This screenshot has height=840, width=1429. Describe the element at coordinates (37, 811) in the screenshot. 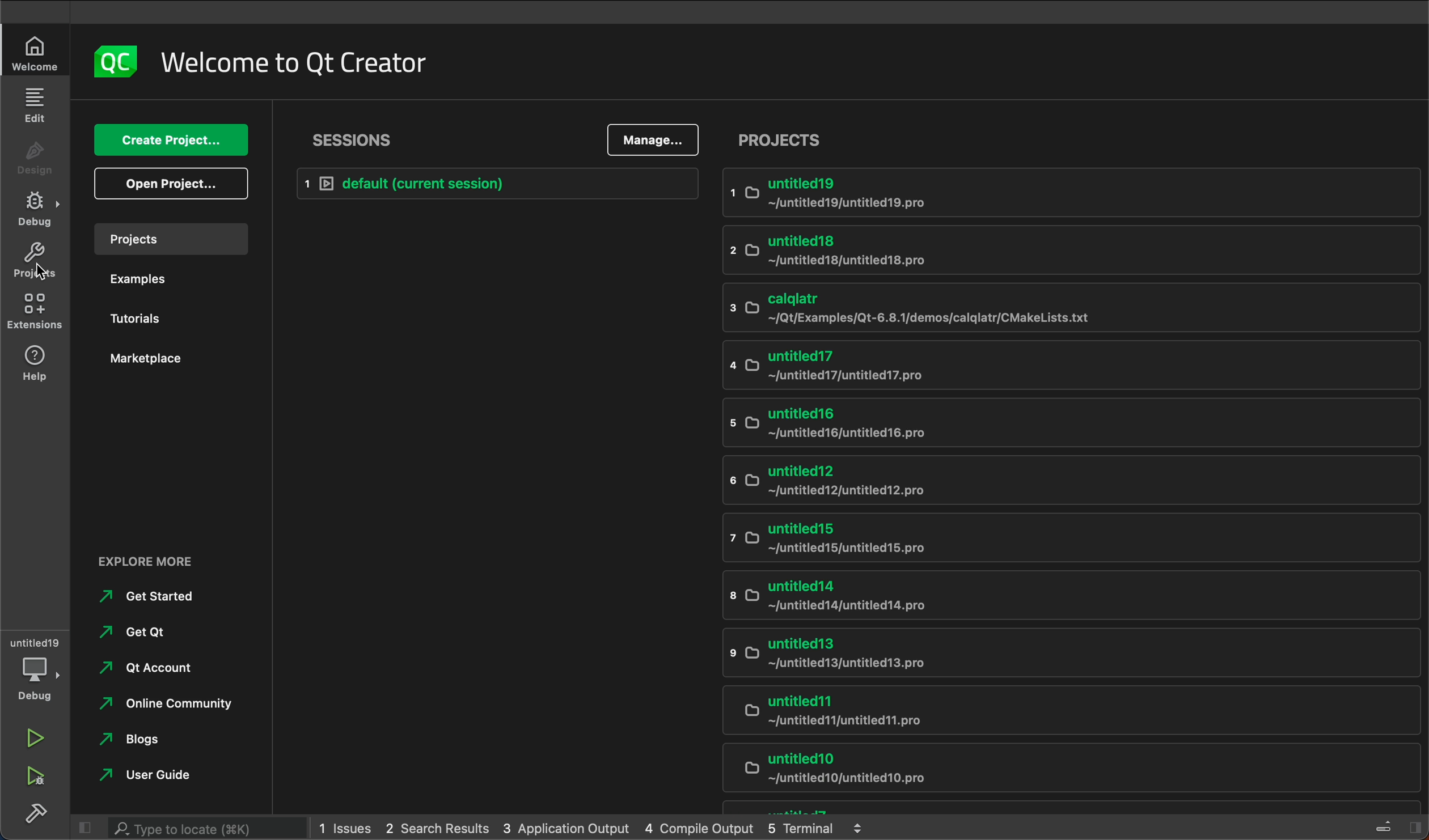

I see `build` at that location.